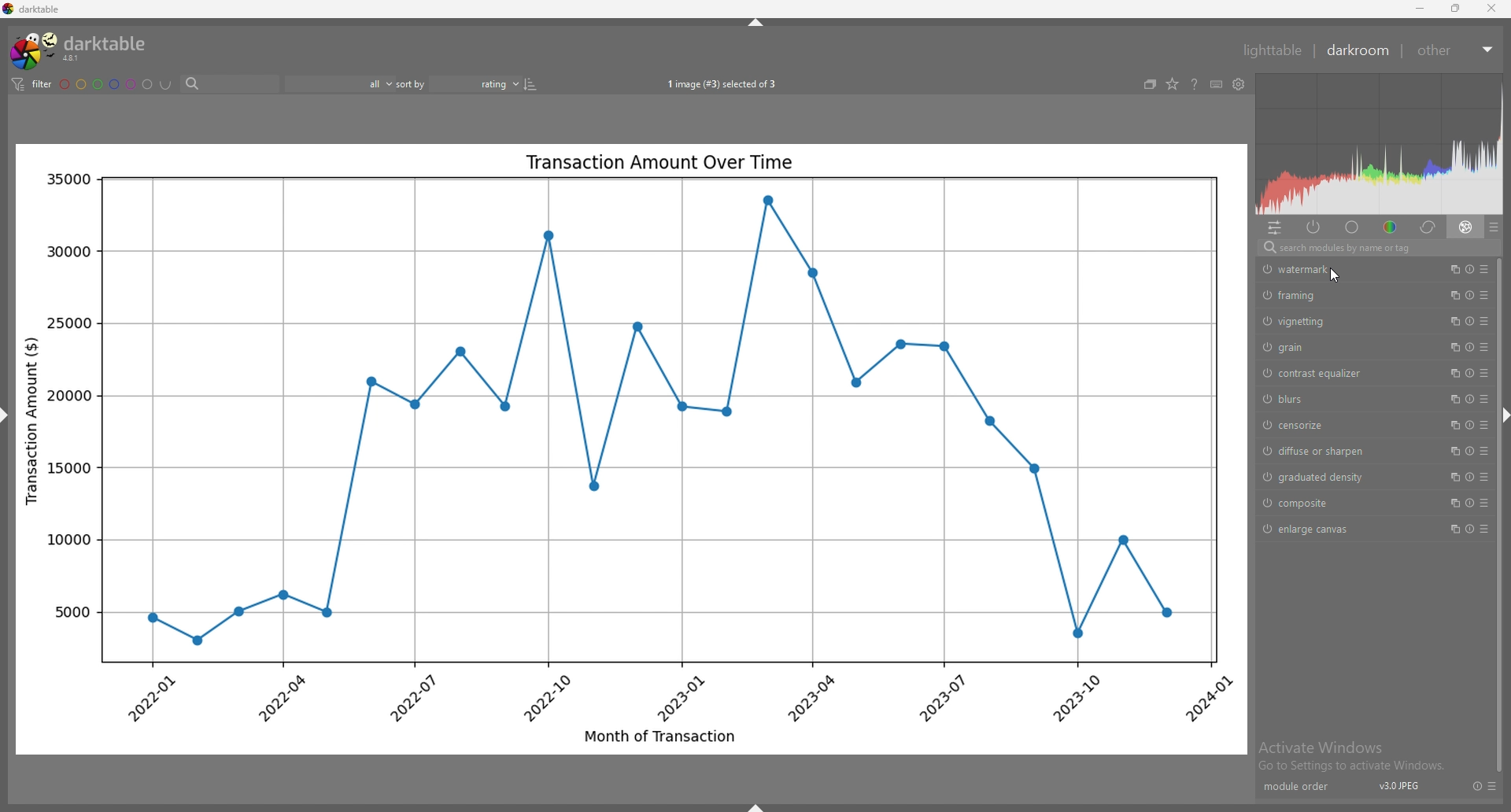 The height and width of the screenshot is (812, 1511). What do you see at coordinates (458, 82) in the screenshot?
I see `sort by` at bounding box center [458, 82].